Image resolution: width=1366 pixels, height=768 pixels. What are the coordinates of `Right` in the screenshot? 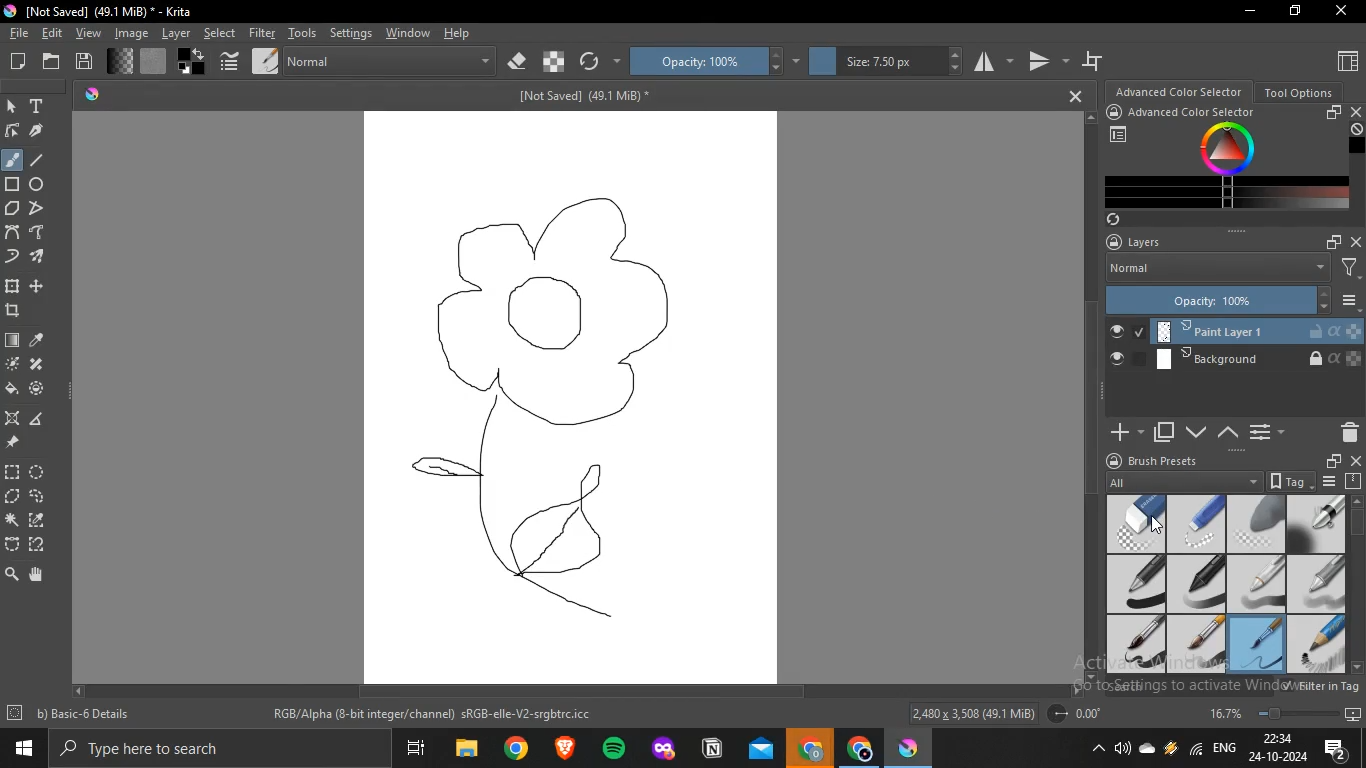 It's located at (1075, 690).